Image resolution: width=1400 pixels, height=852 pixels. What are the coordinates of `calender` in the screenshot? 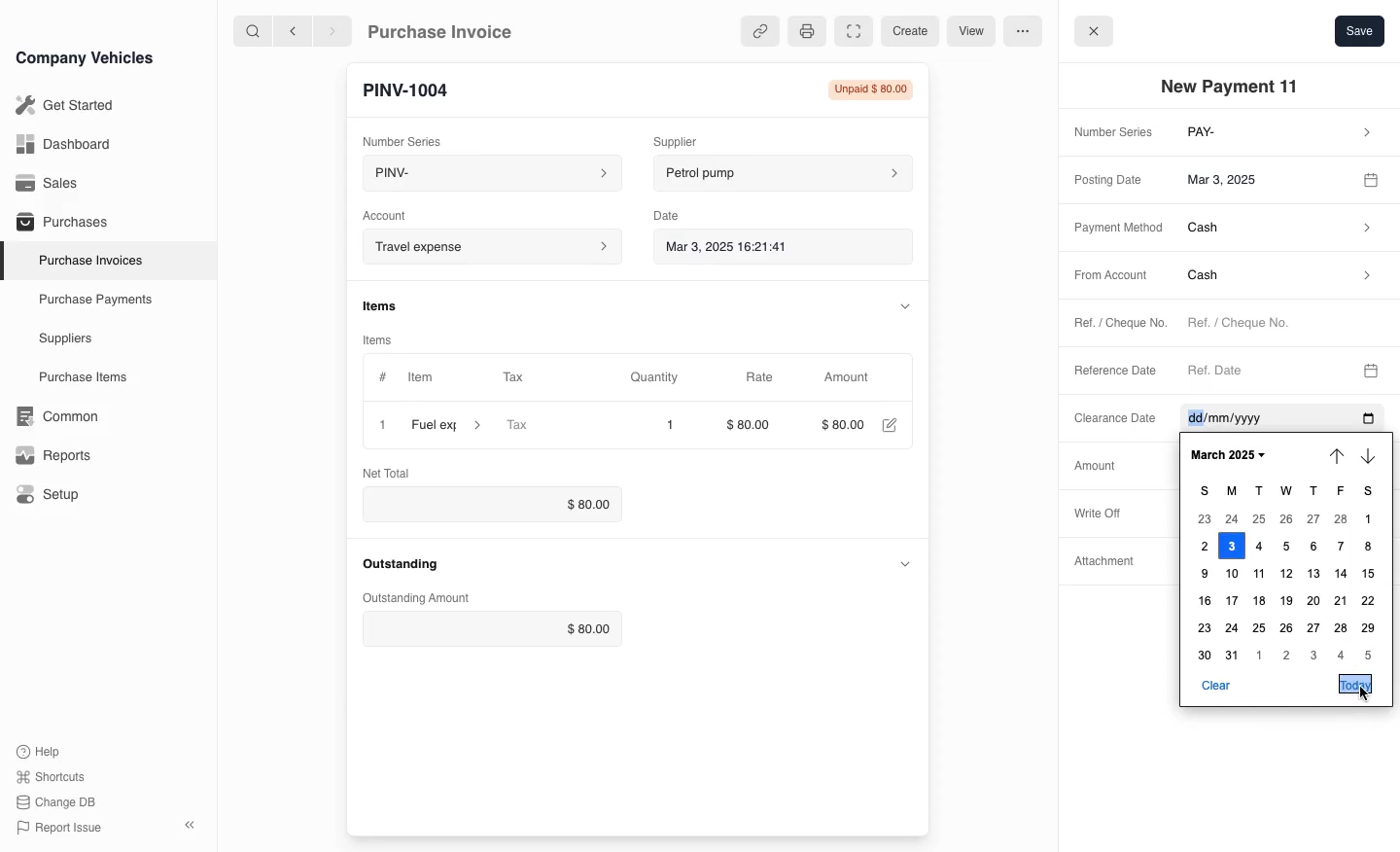 It's located at (1366, 419).